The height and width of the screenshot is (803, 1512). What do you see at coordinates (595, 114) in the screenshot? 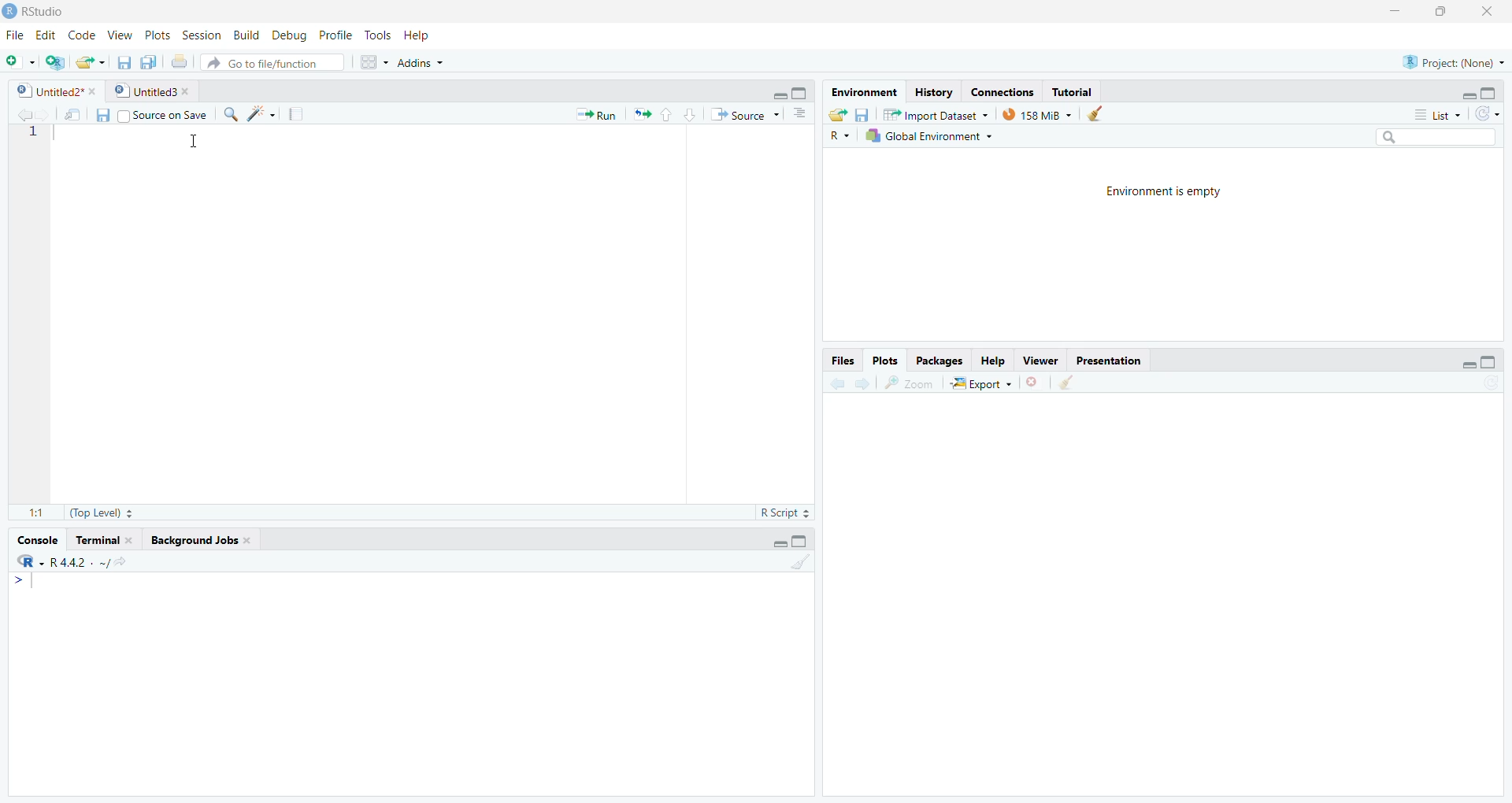
I see `Run` at bounding box center [595, 114].